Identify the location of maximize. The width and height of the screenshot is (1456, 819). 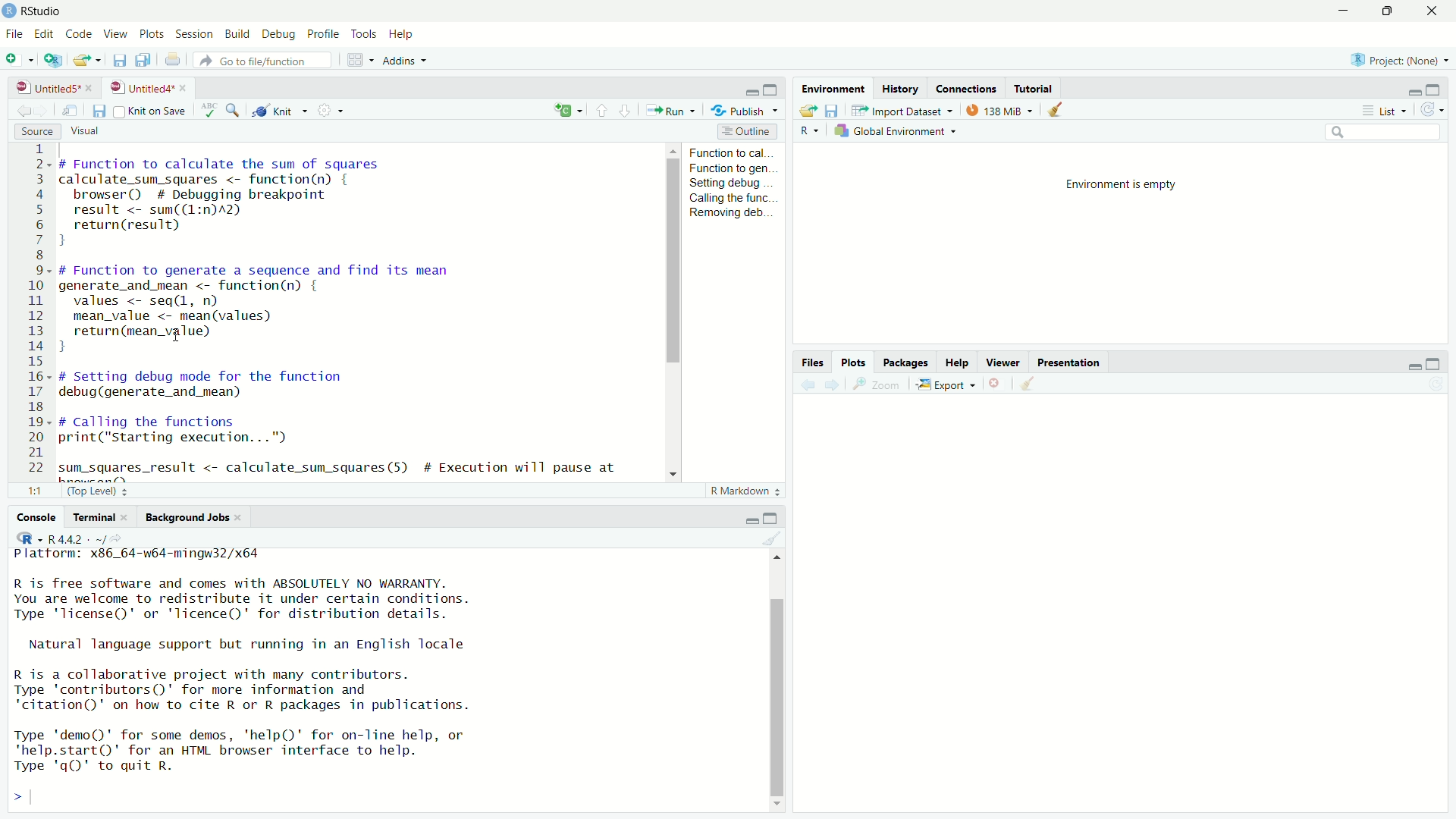
(1395, 13).